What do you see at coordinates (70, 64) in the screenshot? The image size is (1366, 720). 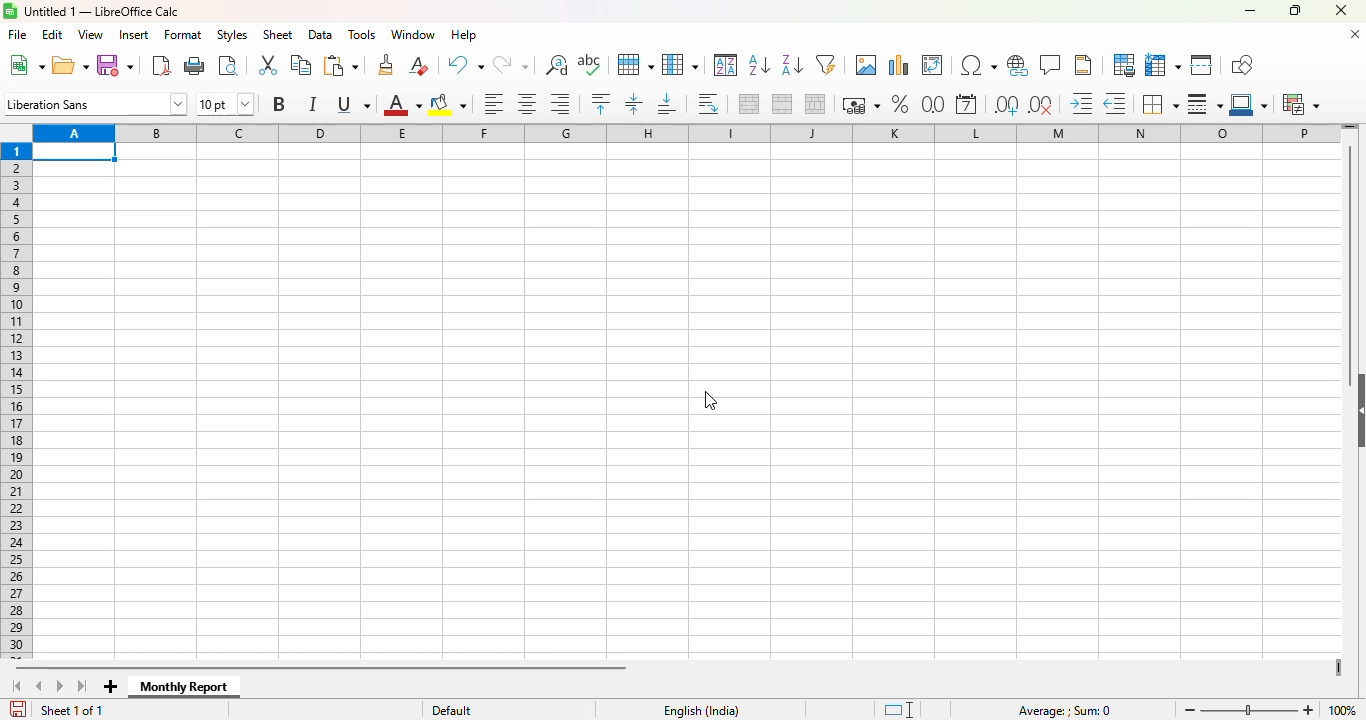 I see `open` at bounding box center [70, 64].